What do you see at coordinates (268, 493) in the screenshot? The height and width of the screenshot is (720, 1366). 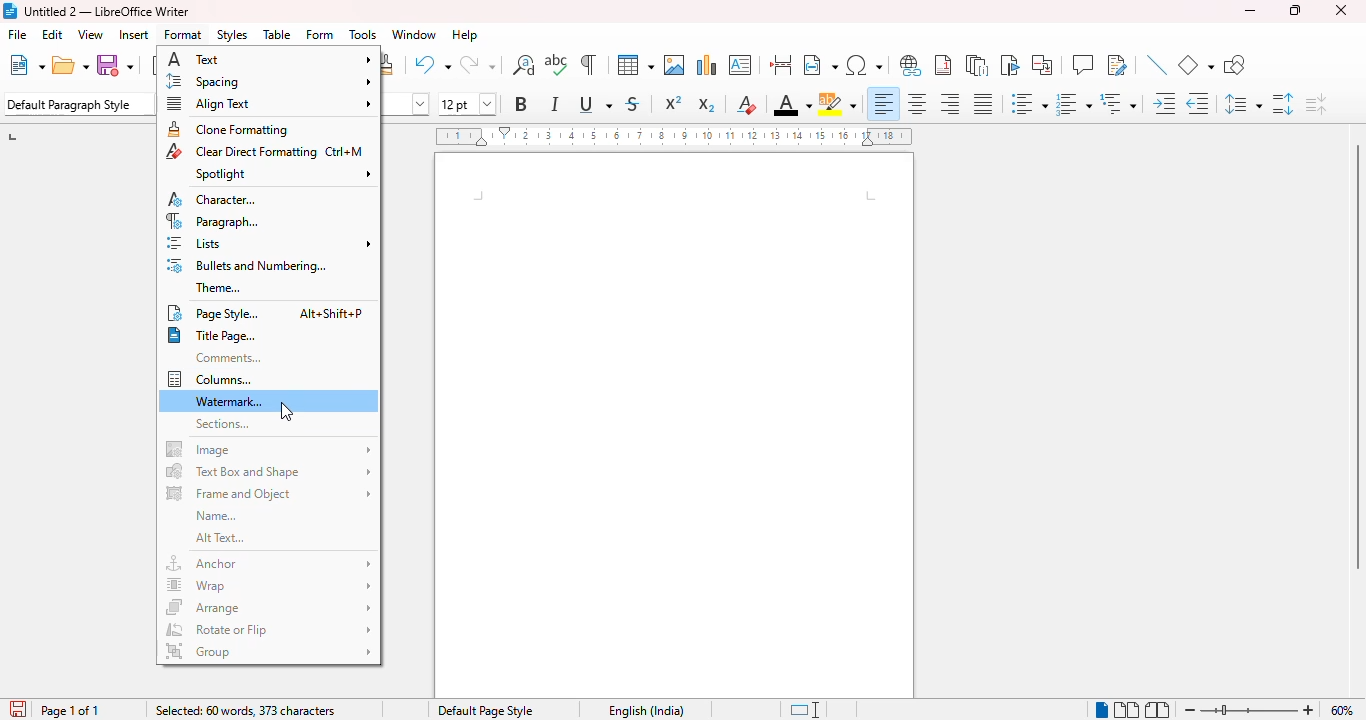 I see `frame and object` at bounding box center [268, 493].